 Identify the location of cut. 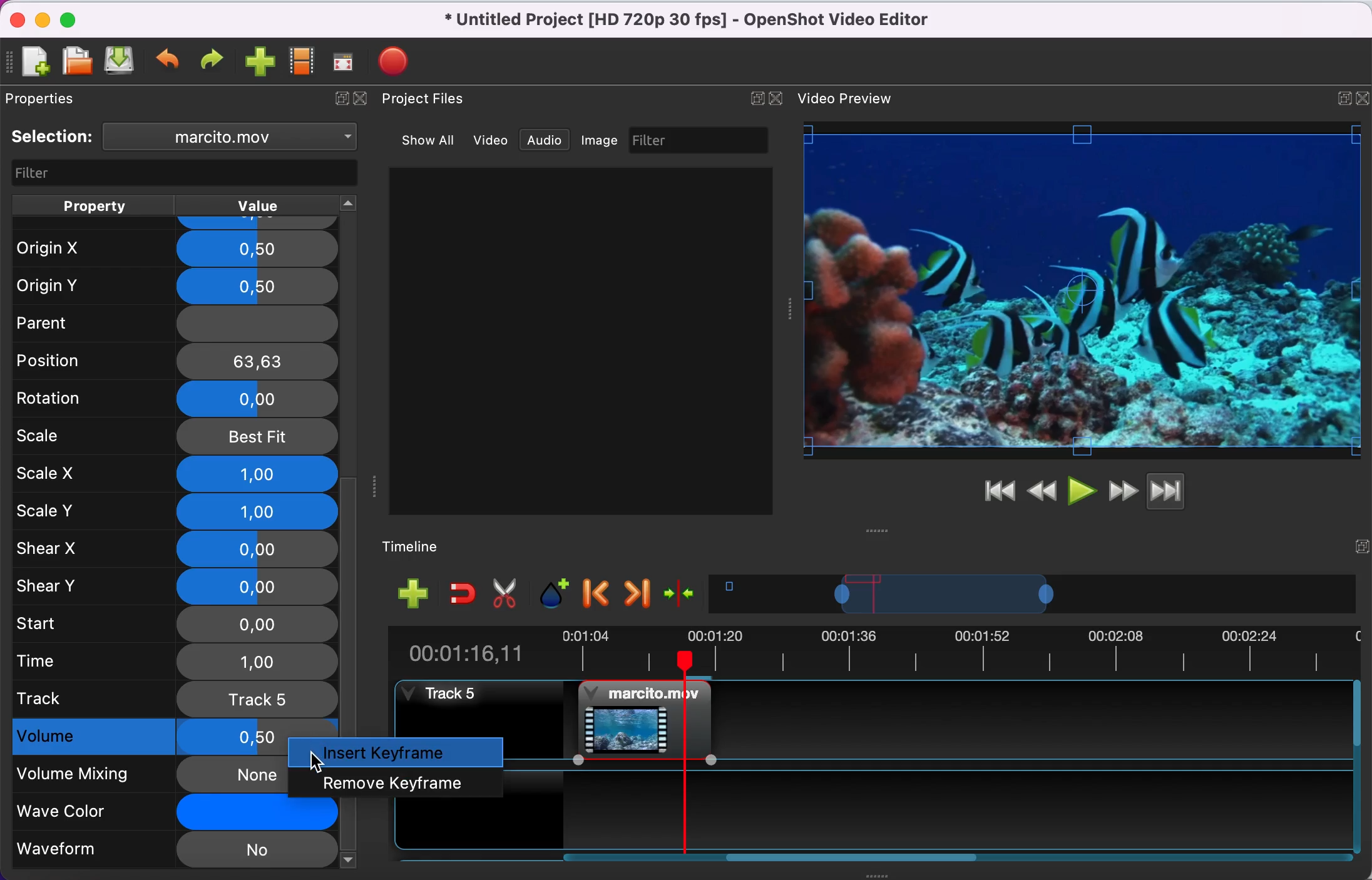
(509, 595).